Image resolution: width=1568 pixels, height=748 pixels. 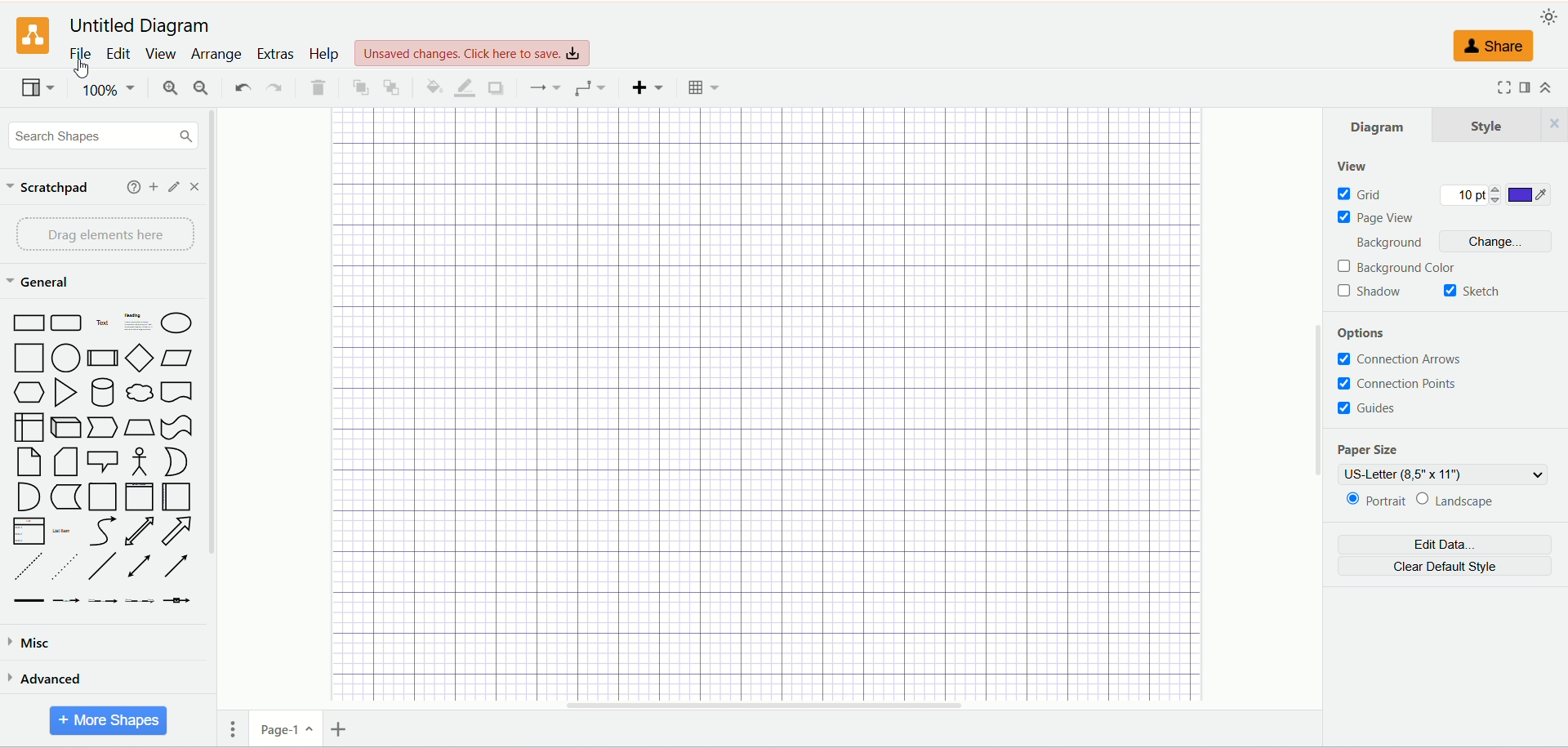 I want to click on style, so click(x=1501, y=124).